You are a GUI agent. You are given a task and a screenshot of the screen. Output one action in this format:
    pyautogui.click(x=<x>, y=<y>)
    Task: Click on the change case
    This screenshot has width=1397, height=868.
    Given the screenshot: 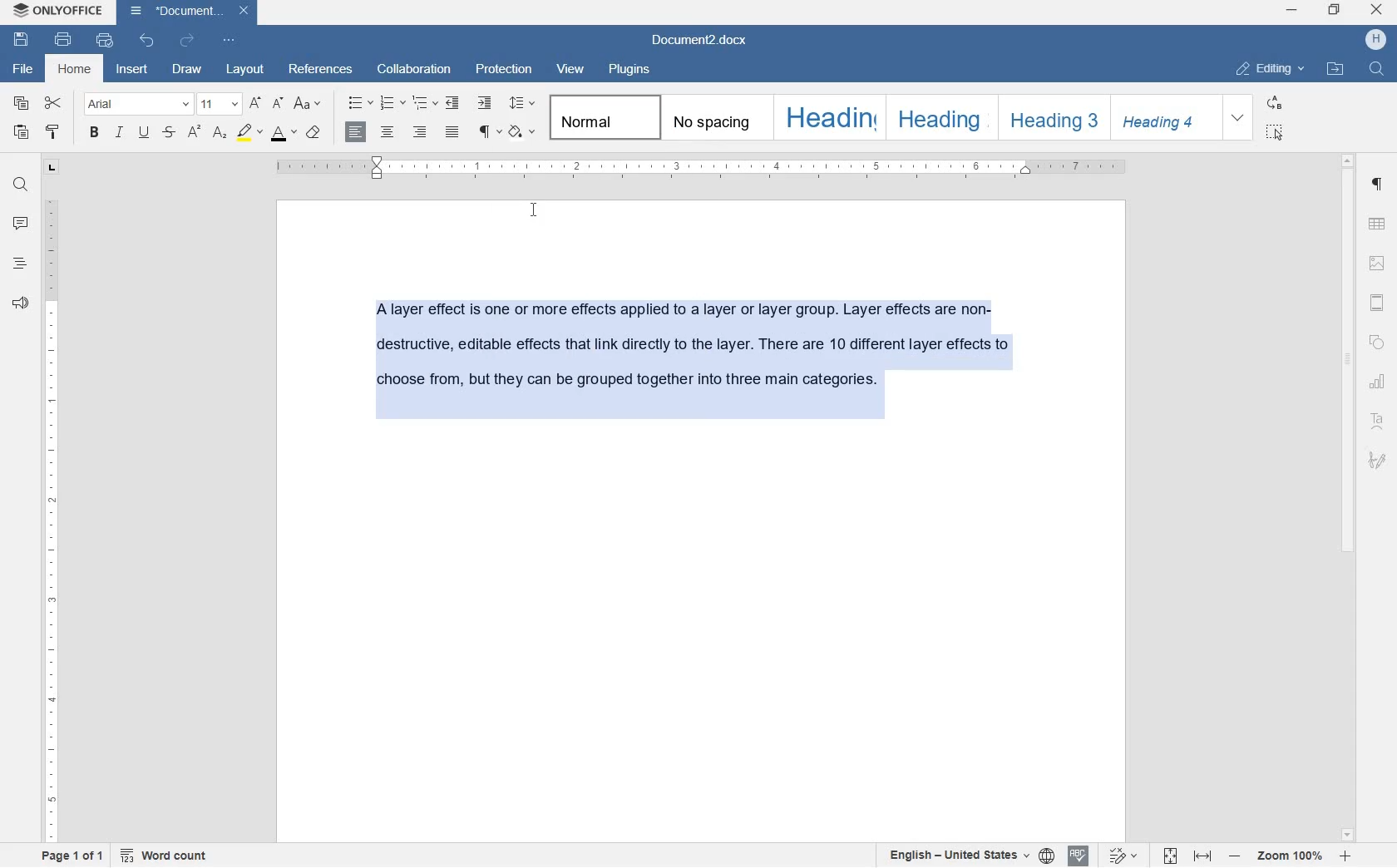 What is the action you would take?
    pyautogui.click(x=309, y=104)
    